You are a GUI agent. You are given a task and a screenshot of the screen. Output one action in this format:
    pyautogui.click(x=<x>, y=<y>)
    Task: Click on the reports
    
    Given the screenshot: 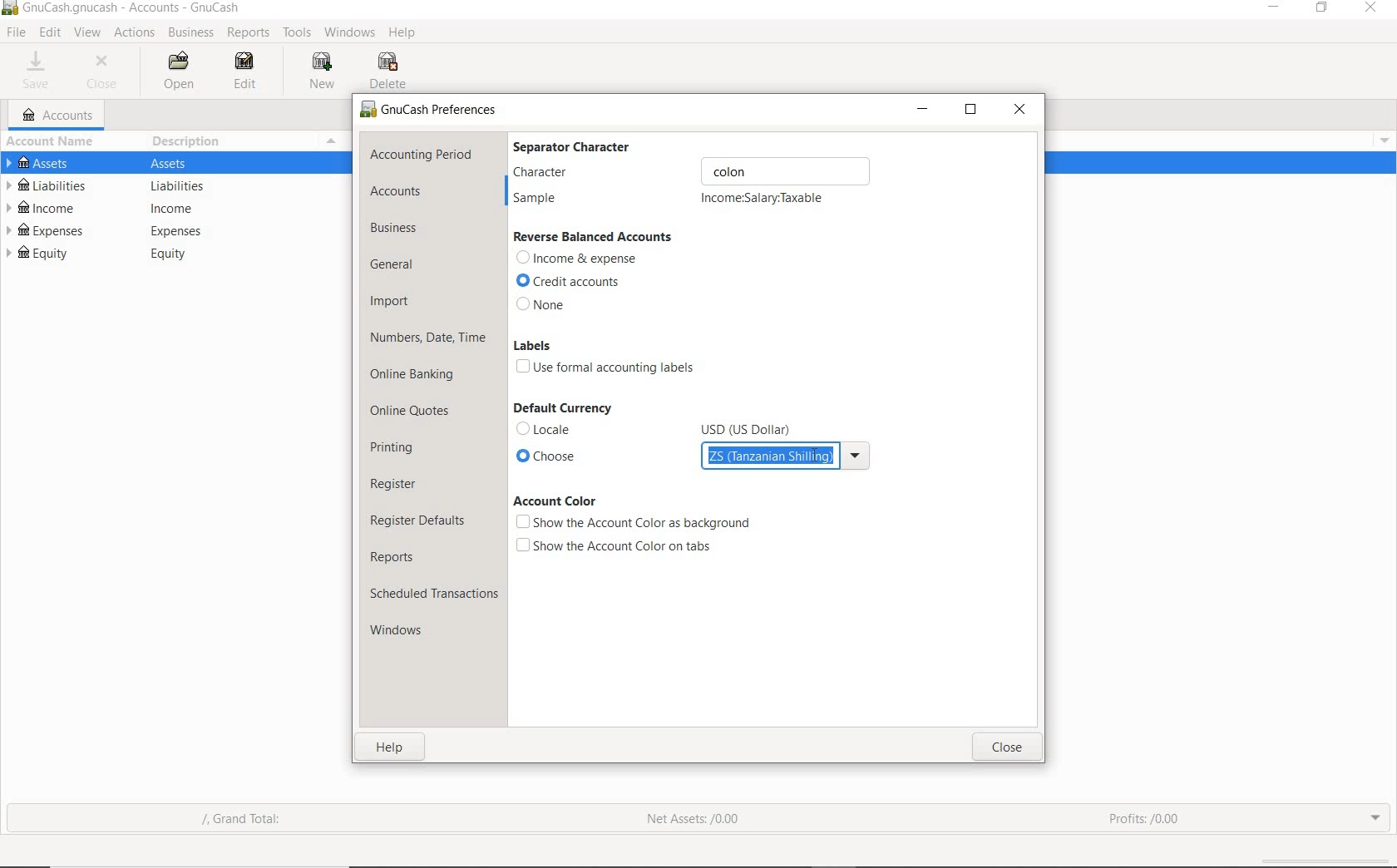 What is the action you would take?
    pyautogui.click(x=397, y=556)
    